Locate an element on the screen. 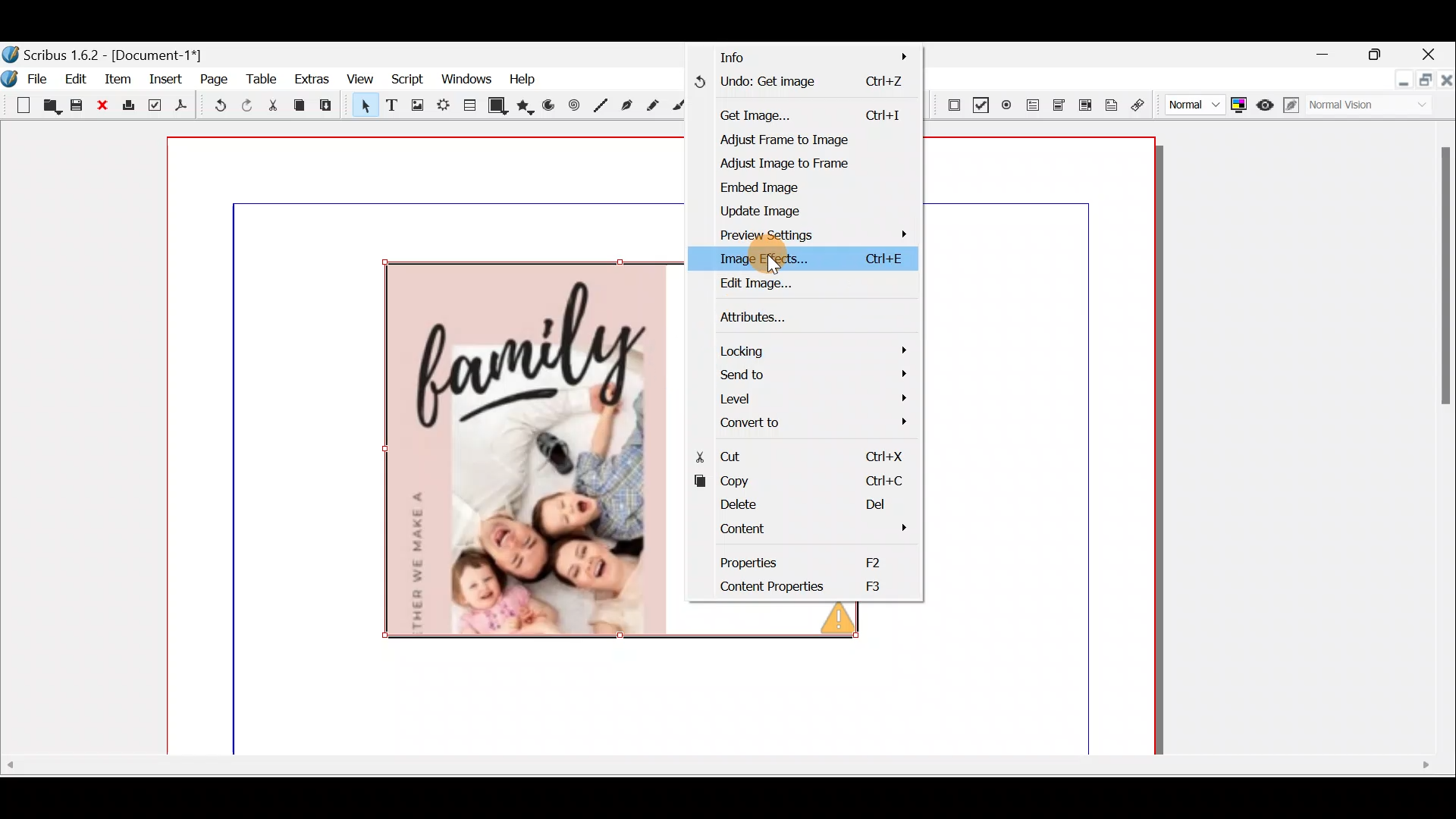 This screenshot has height=819, width=1456. Delete is located at coordinates (794, 506).